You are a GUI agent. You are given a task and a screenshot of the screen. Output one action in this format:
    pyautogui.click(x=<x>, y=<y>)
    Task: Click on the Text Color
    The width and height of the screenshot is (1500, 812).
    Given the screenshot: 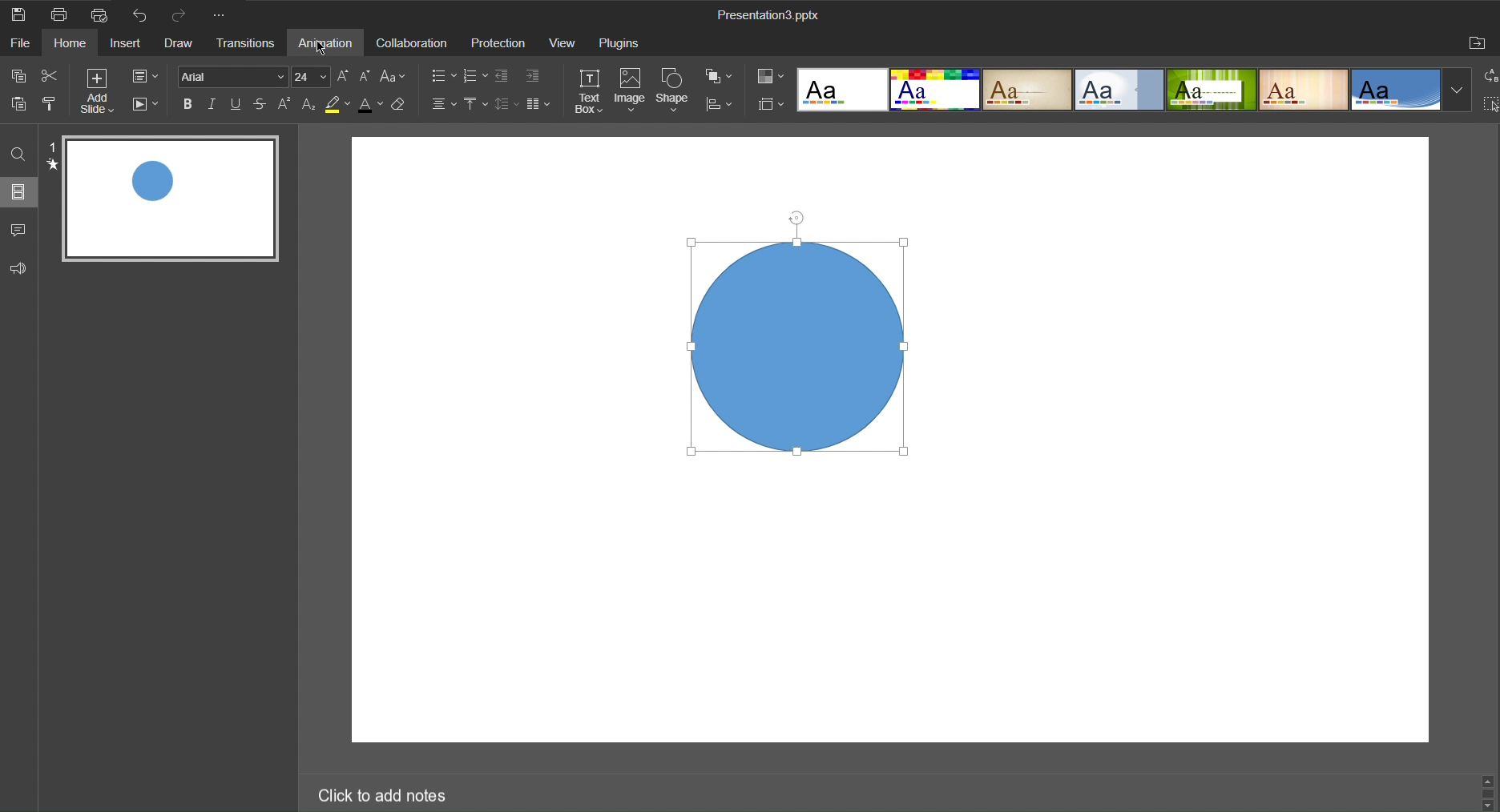 What is the action you would take?
    pyautogui.click(x=370, y=106)
    